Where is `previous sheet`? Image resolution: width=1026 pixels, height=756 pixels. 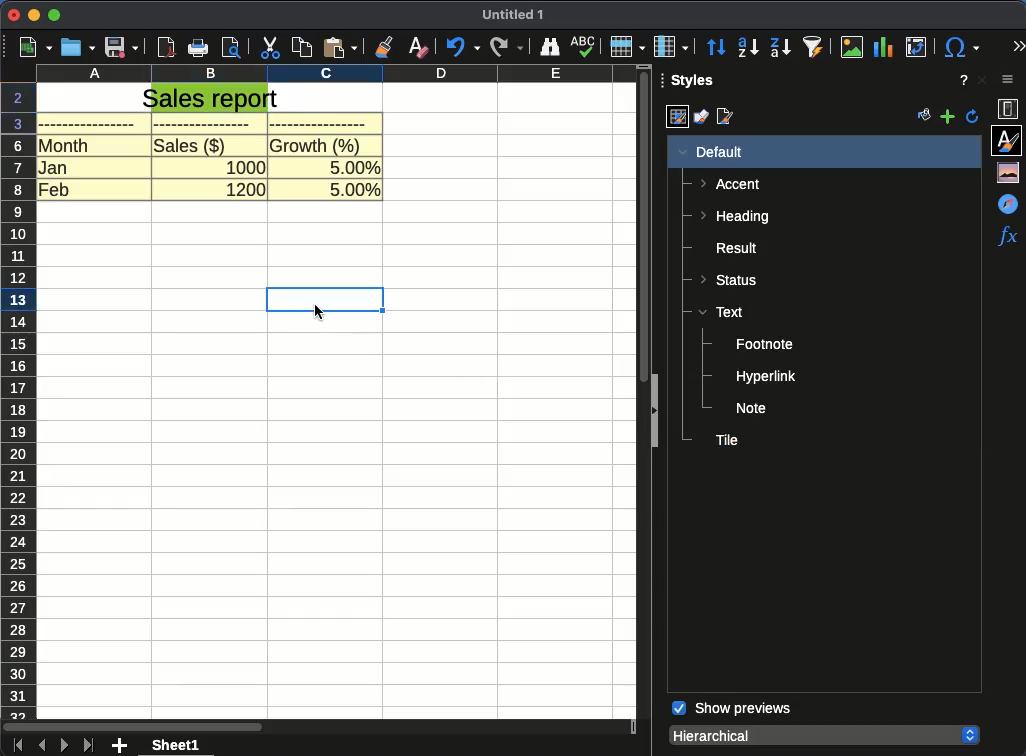 previous sheet is located at coordinates (42, 746).